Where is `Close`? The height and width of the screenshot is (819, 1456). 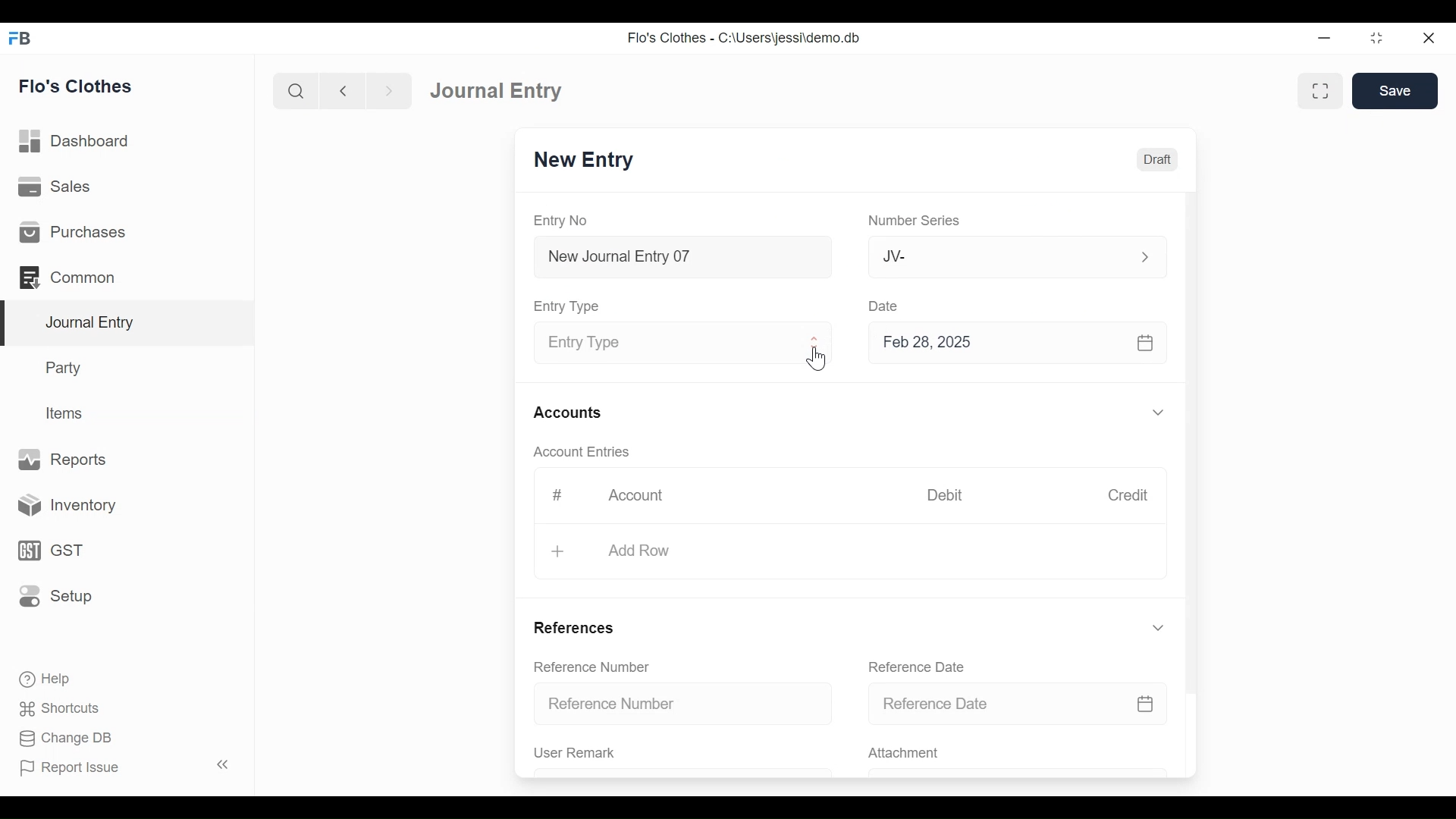 Close is located at coordinates (1429, 39).